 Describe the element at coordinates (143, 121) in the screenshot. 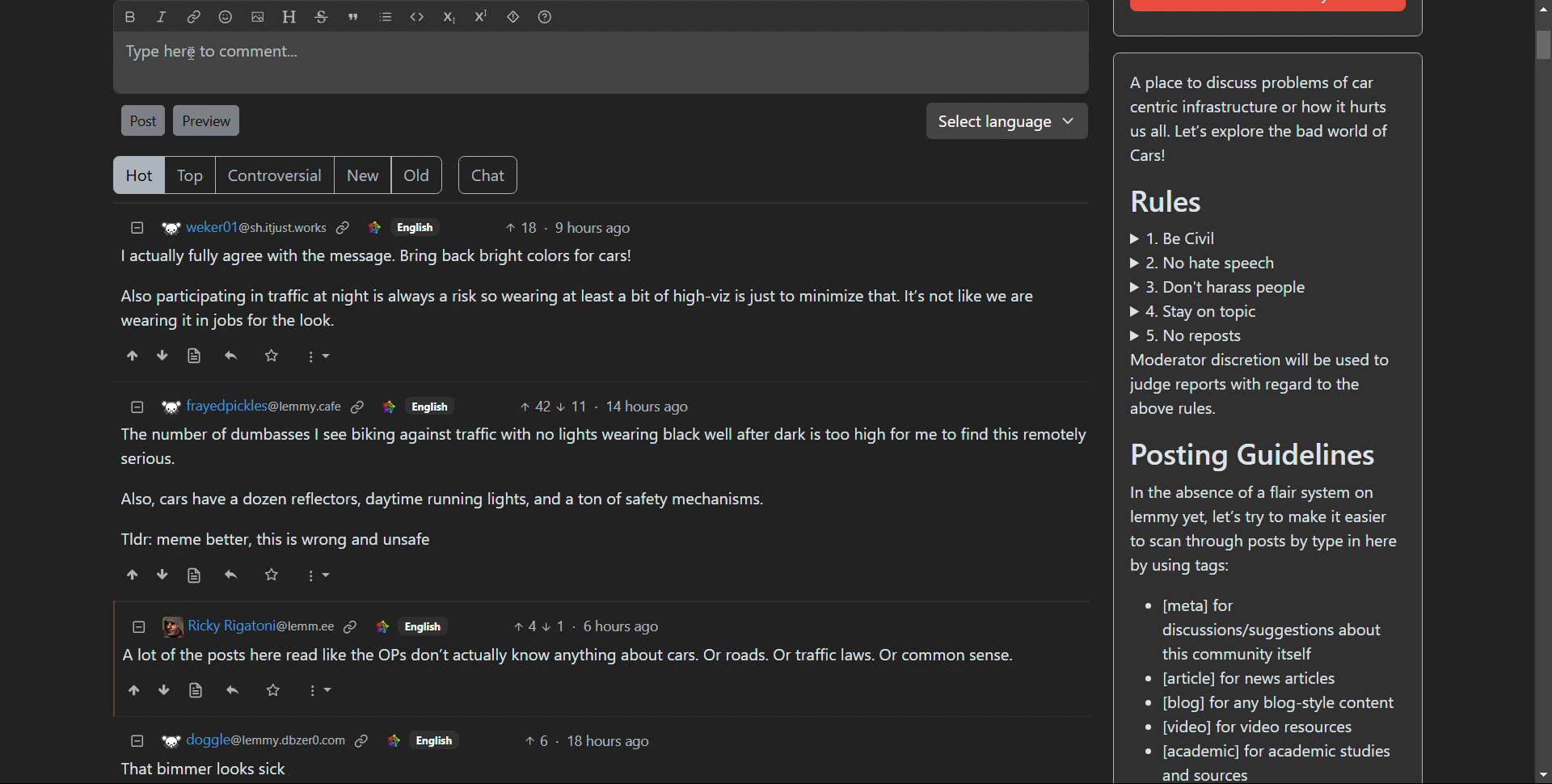

I see `post` at that location.